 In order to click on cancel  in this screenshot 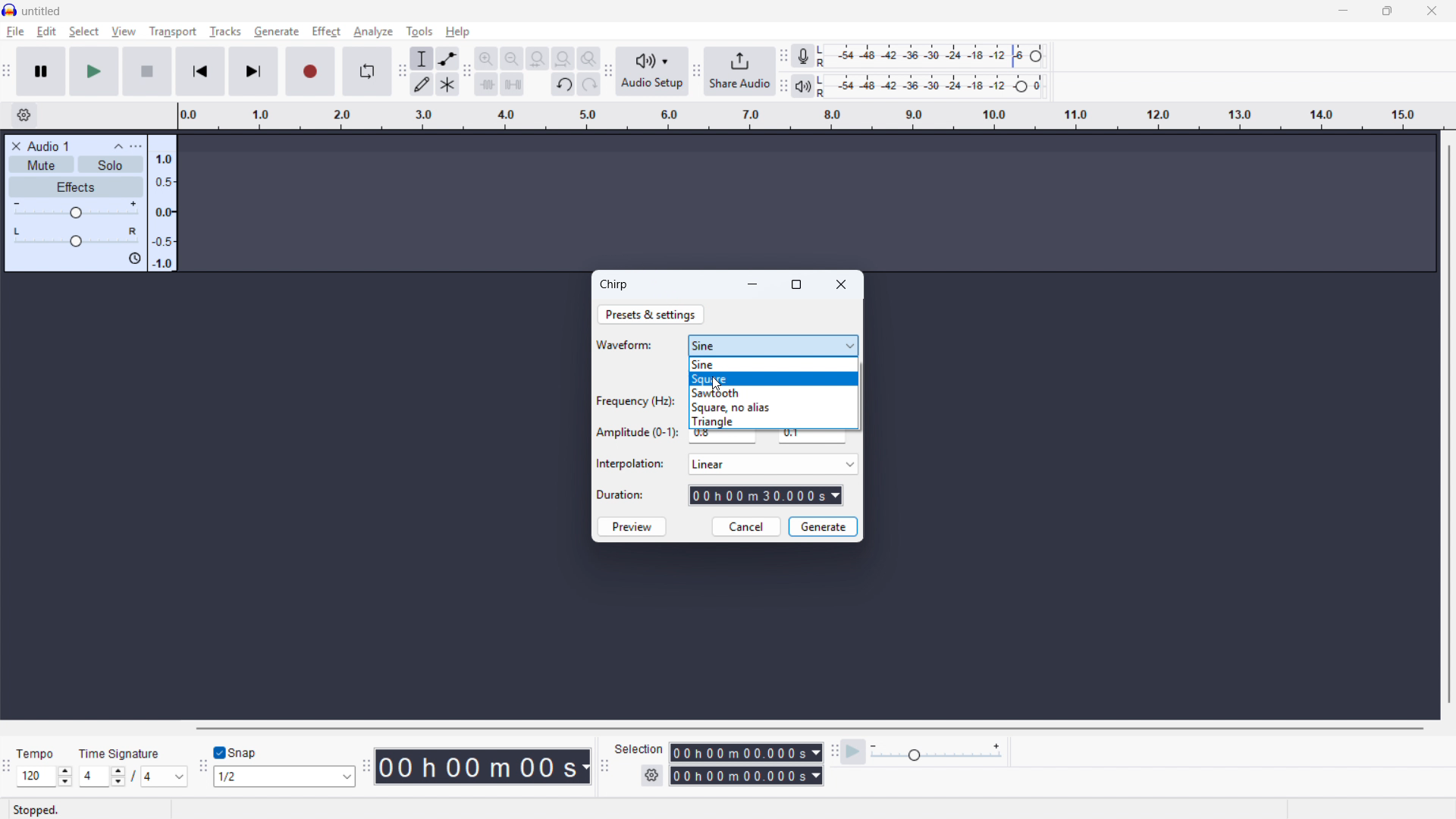, I will do `click(748, 526)`.